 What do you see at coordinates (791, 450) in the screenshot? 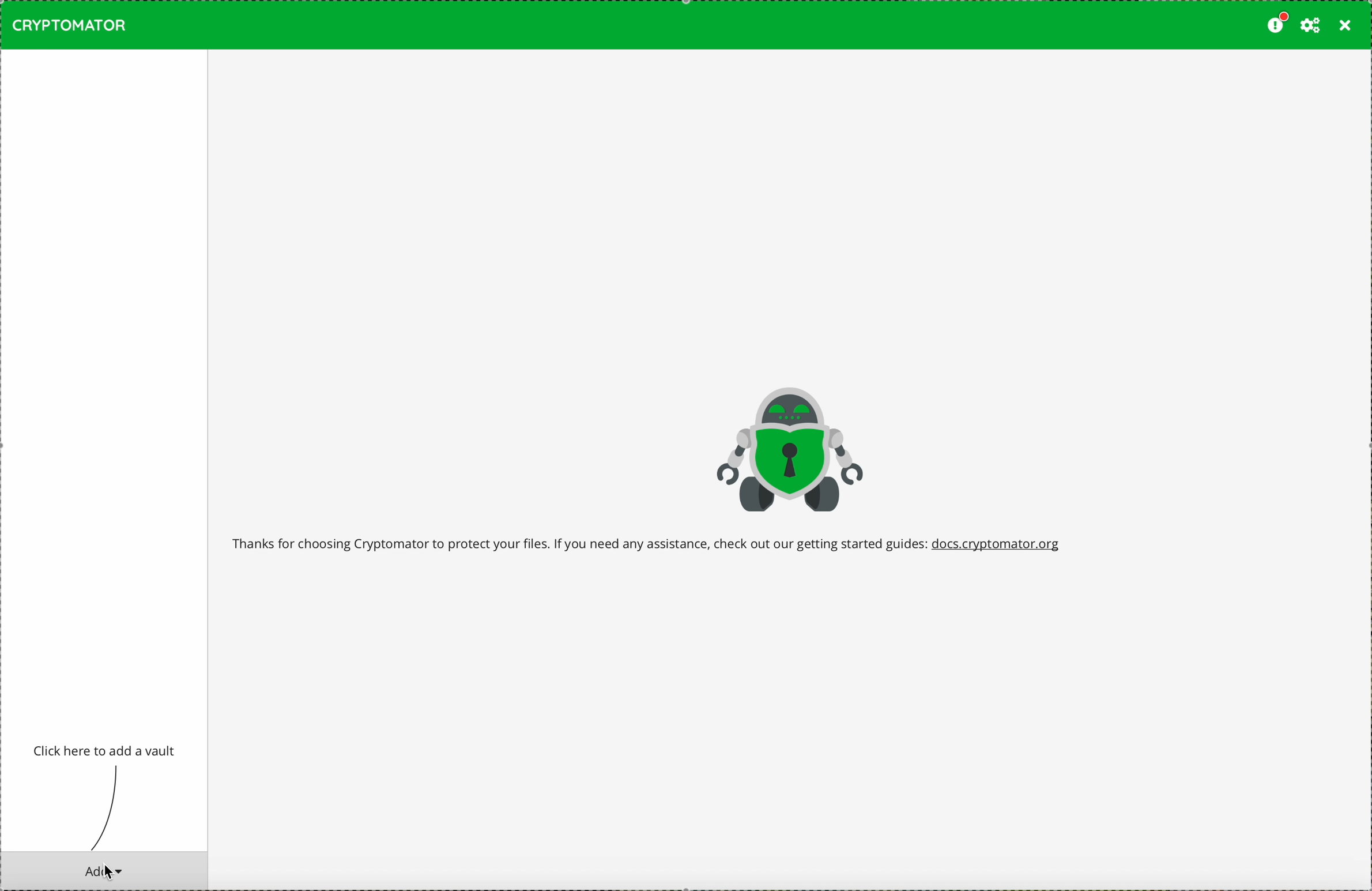
I see `Cryptomator logo` at bounding box center [791, 450].